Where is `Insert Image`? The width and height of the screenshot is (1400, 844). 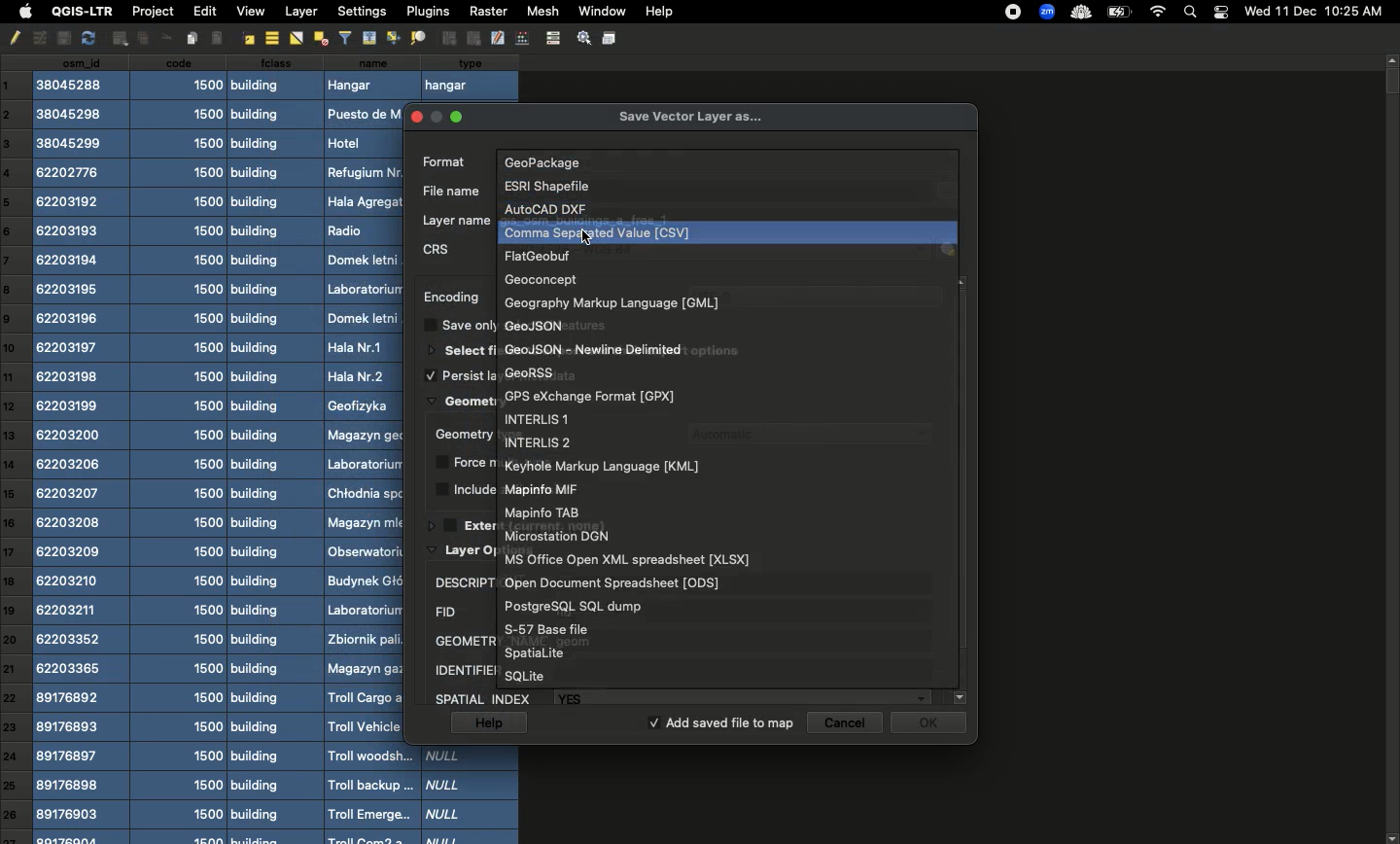 Insert Image is located at coordinates (192, 38).